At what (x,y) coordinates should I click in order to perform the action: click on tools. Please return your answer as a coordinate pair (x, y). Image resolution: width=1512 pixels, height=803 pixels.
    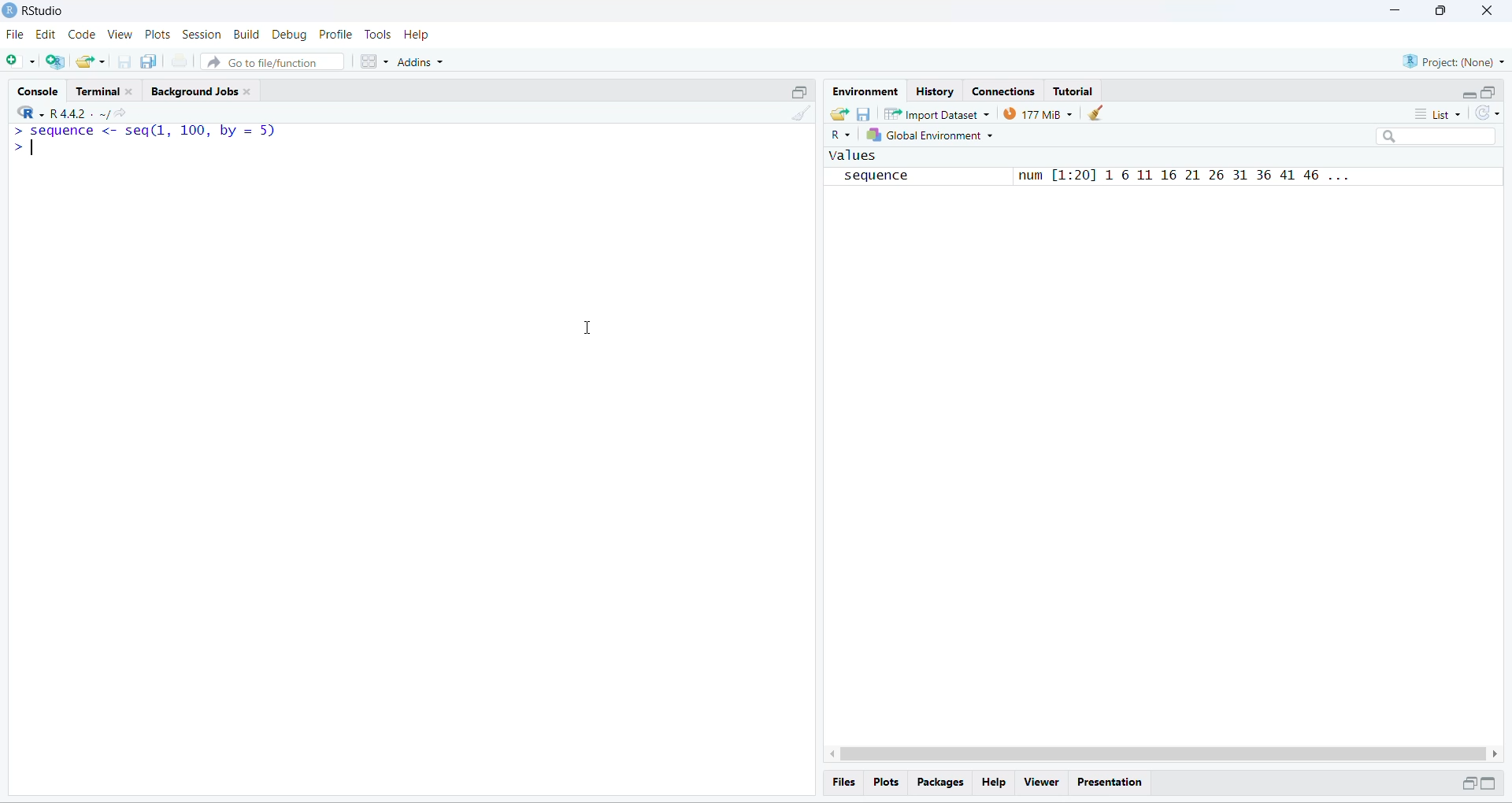
    Looking at the image, I should click on (380, 34).